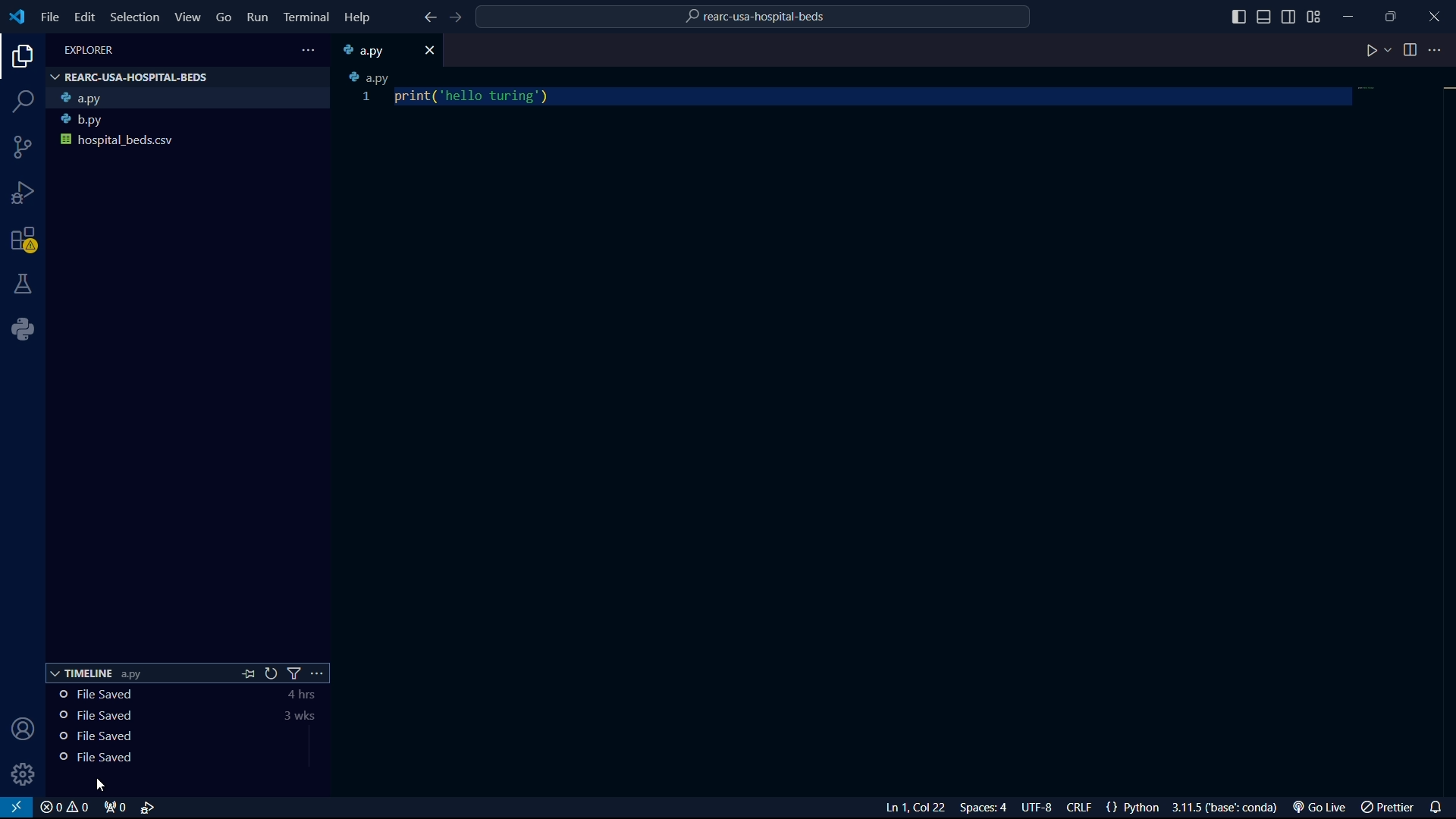 The image size is (1456, 819). What do you see at coordinates (23, 328) in the screenshot?
I see `python` at bounding box center [23, 328].